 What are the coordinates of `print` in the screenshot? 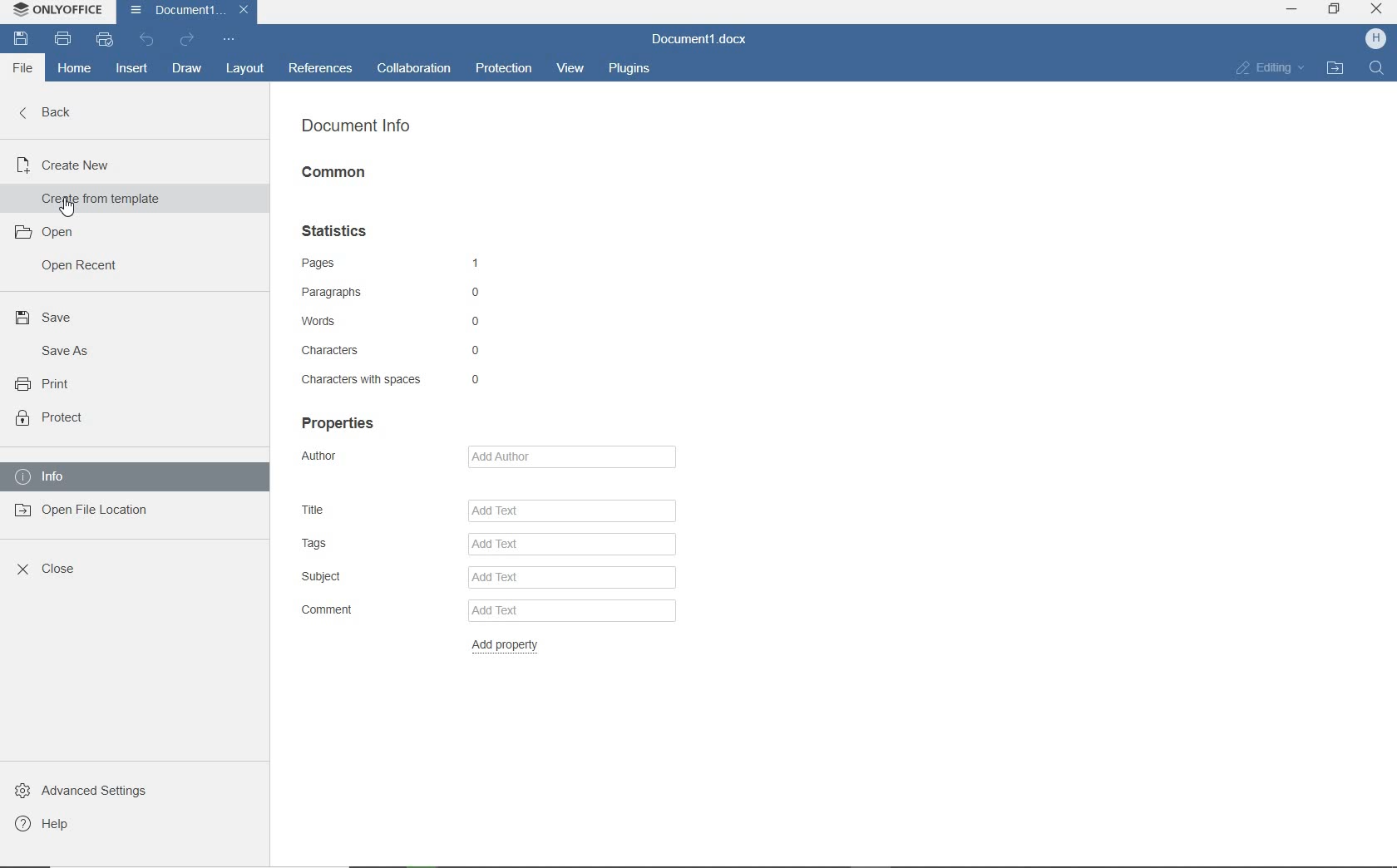 It's located at (47, 384).